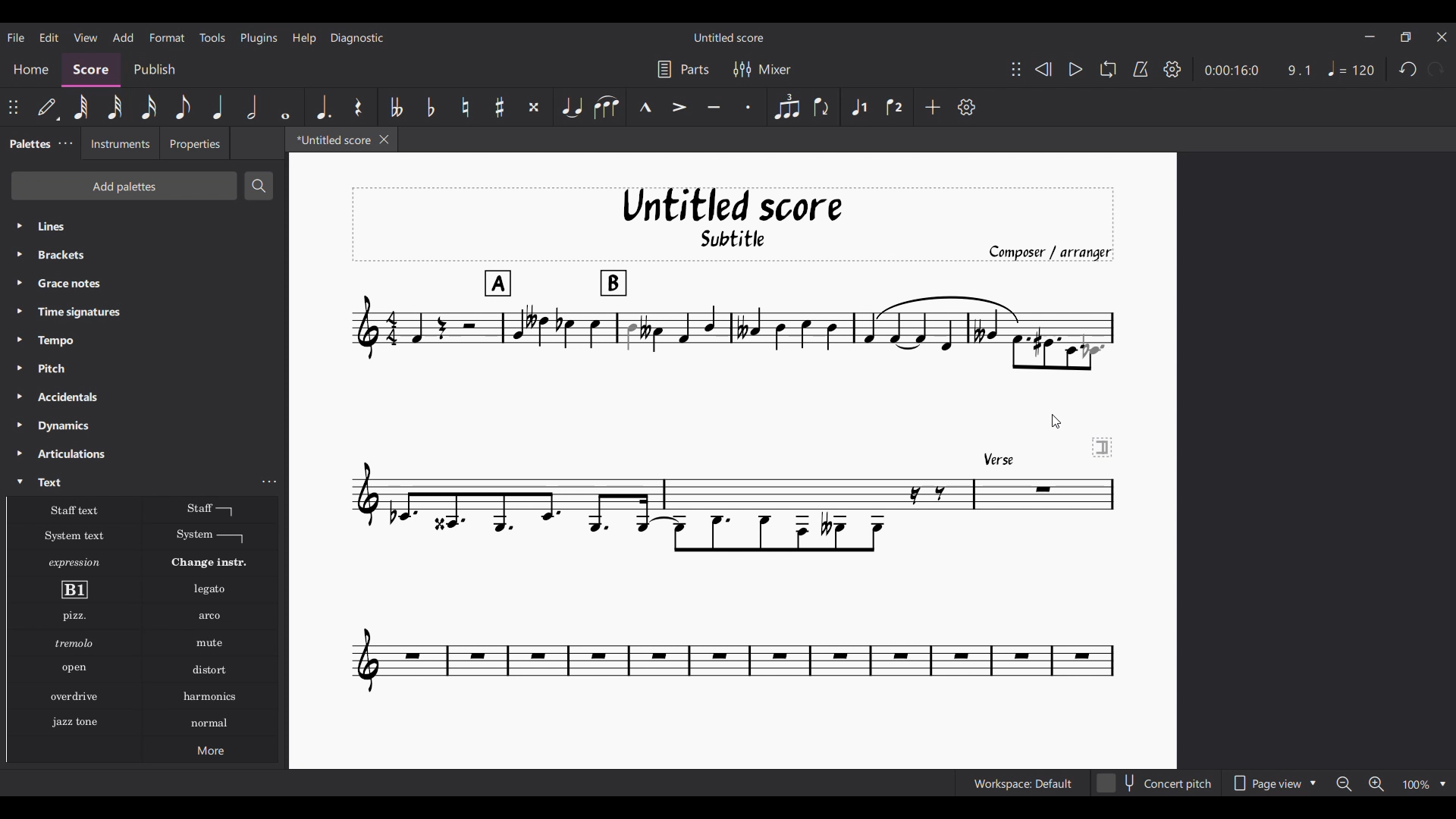  Describe the element at coordinates (154, 70) in the screenshot. I see `Publish section` at that location.